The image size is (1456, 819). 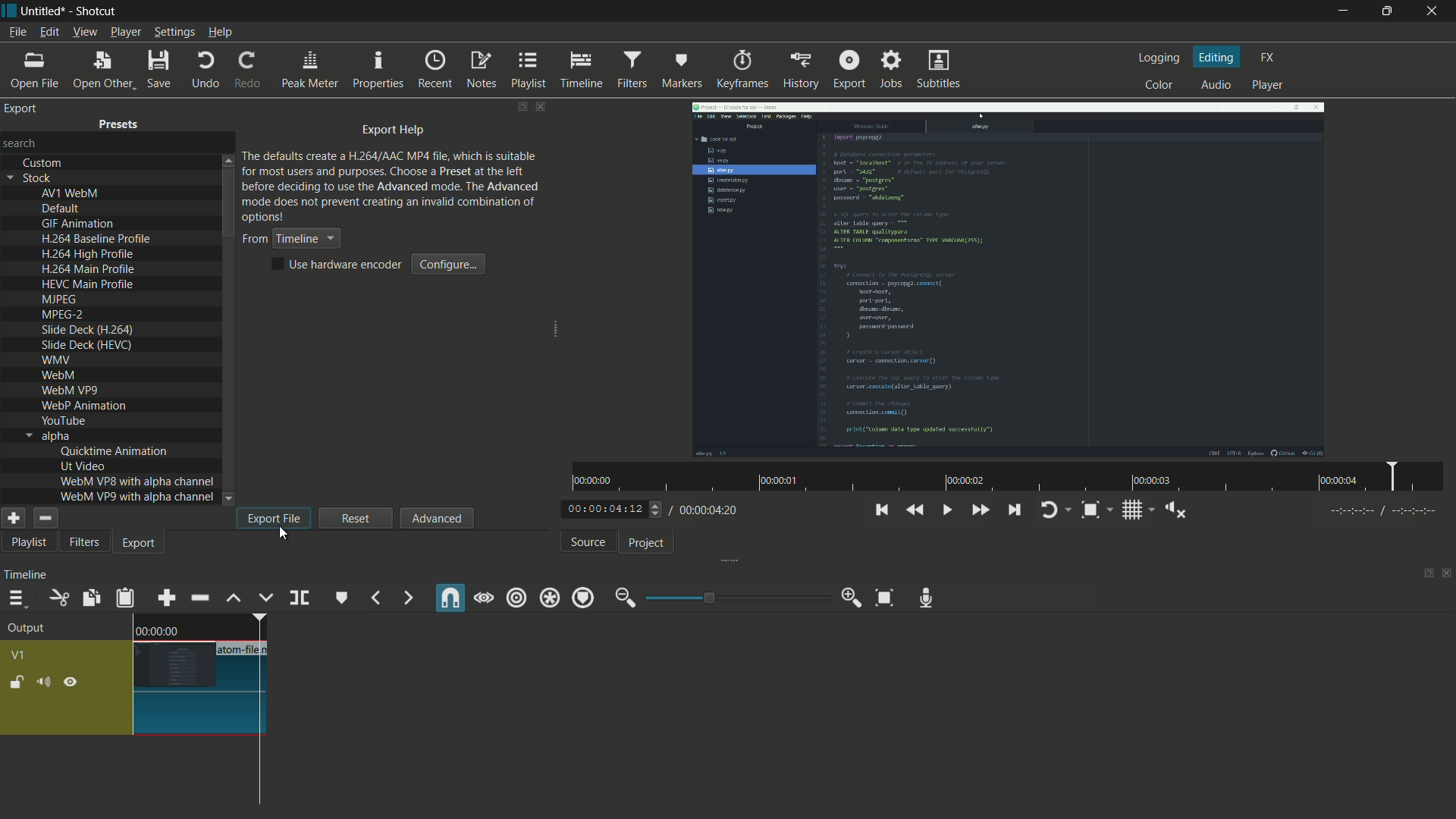 I want to click on project, so click(x=649, y=544).